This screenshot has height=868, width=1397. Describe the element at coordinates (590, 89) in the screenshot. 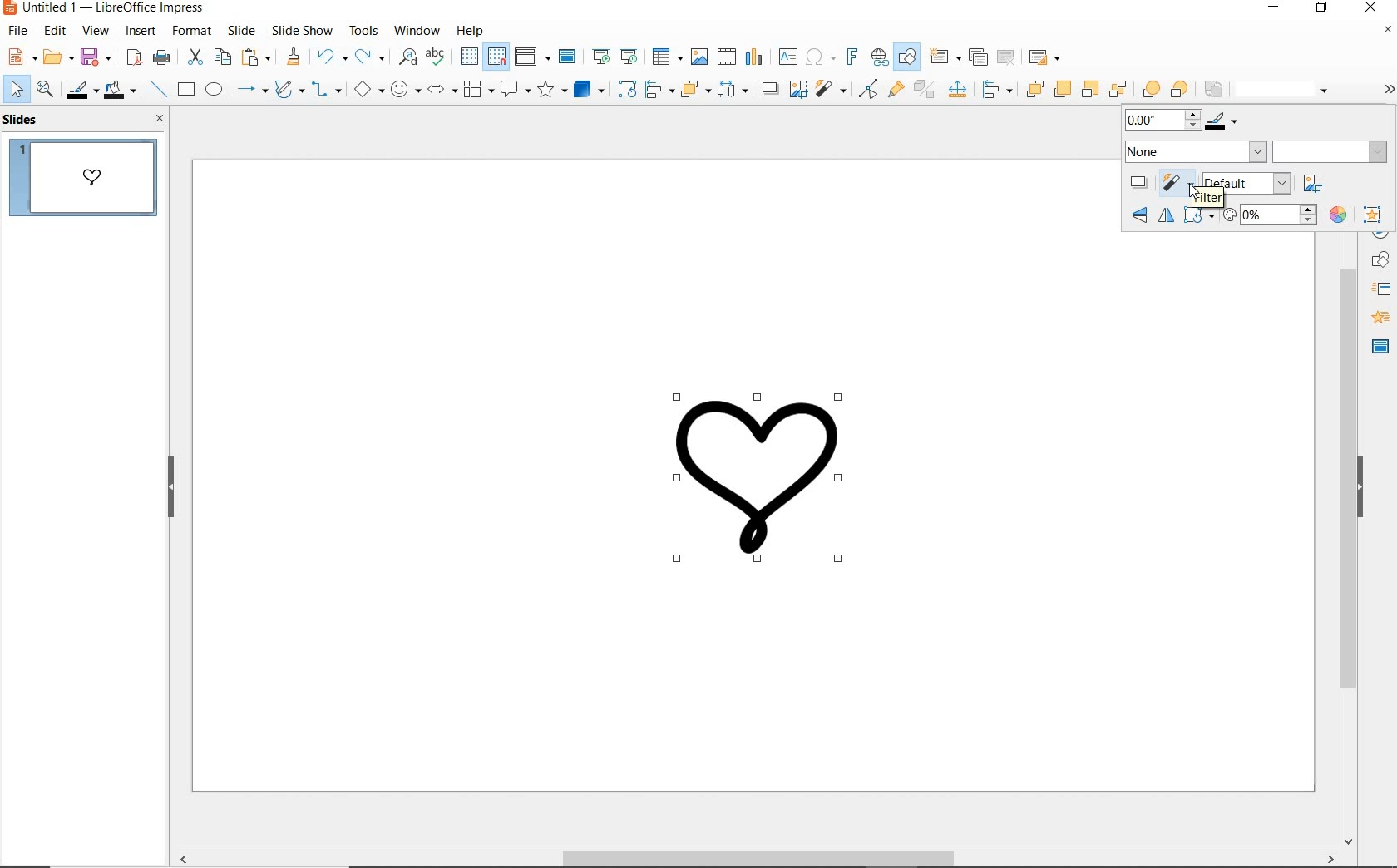

I see `3D Objects` at that location.